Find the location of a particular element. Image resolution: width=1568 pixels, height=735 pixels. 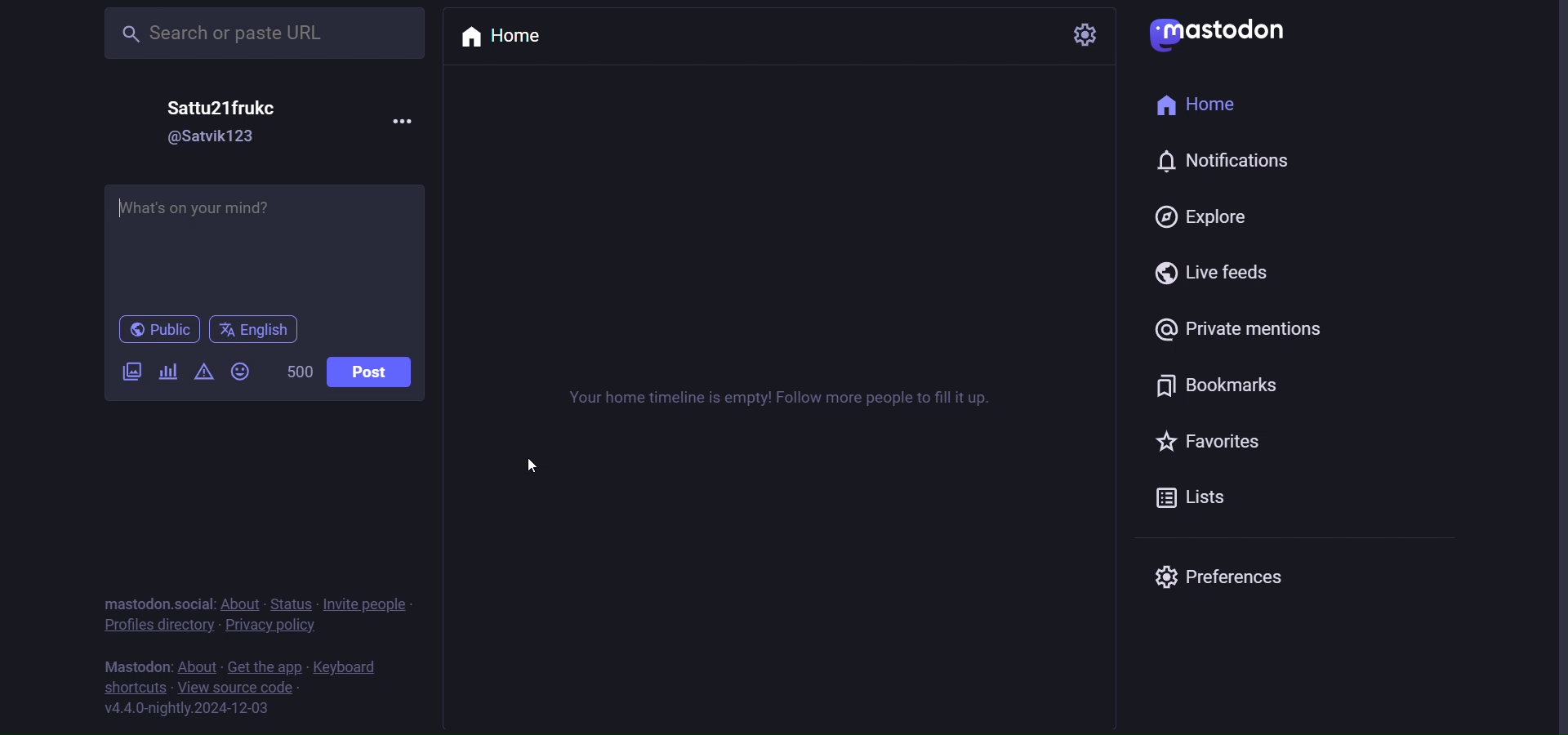

more is located at coordinates (411, 120).